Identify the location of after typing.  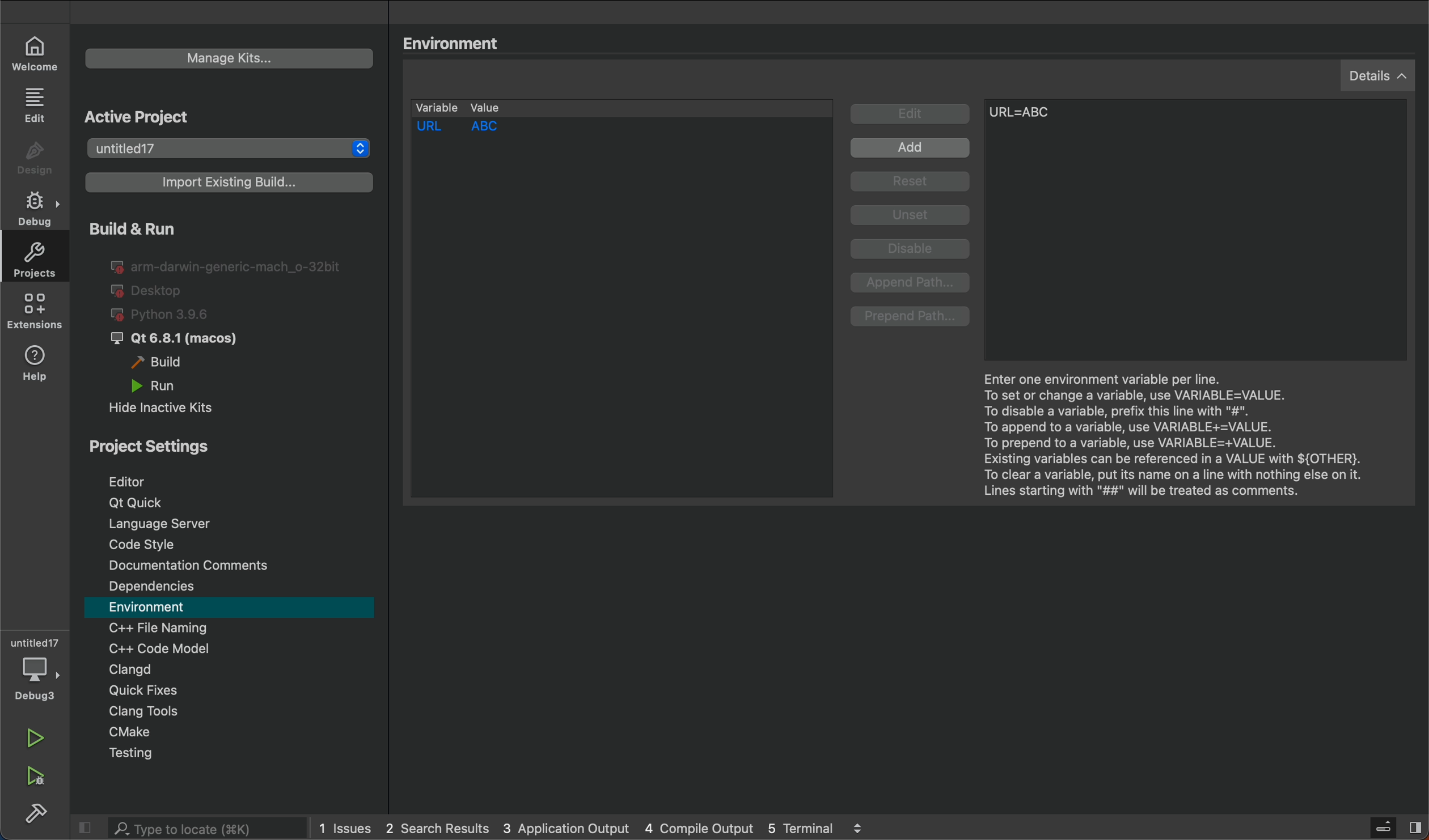
(1034, 118).